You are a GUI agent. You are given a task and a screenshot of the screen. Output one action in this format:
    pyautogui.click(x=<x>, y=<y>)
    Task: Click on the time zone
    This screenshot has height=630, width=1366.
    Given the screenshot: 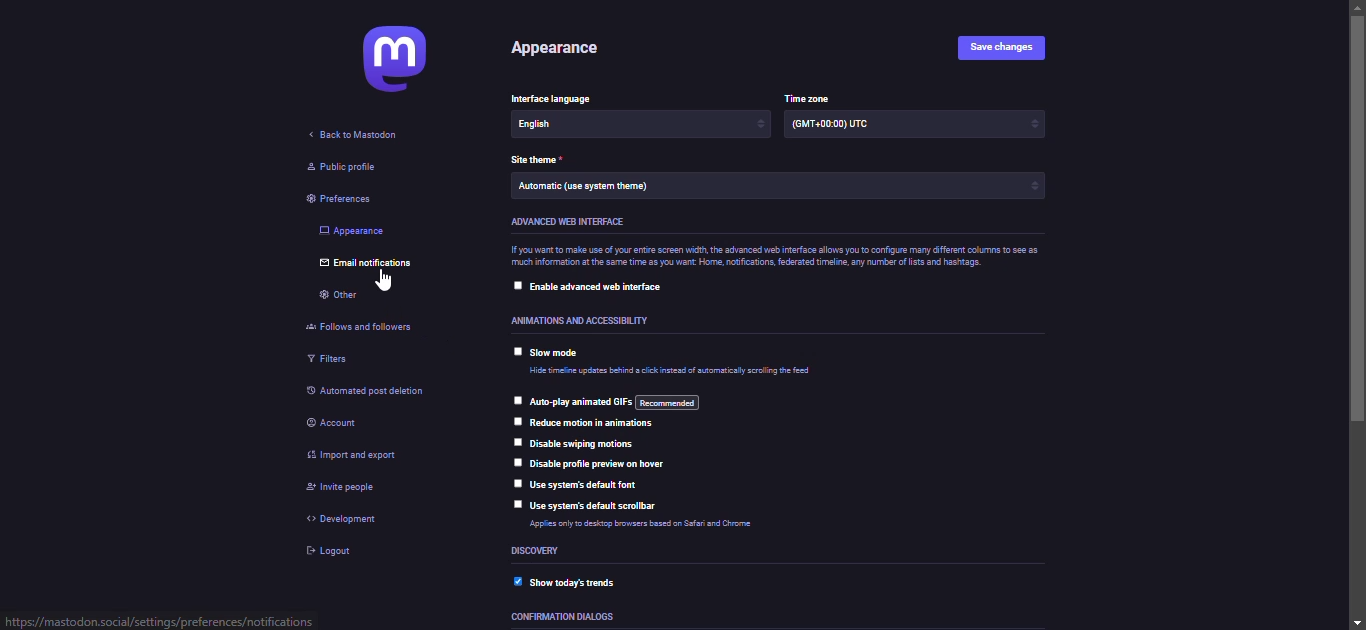 What is the action you would take?
    pyautogui.click(x=833, y=127)
    